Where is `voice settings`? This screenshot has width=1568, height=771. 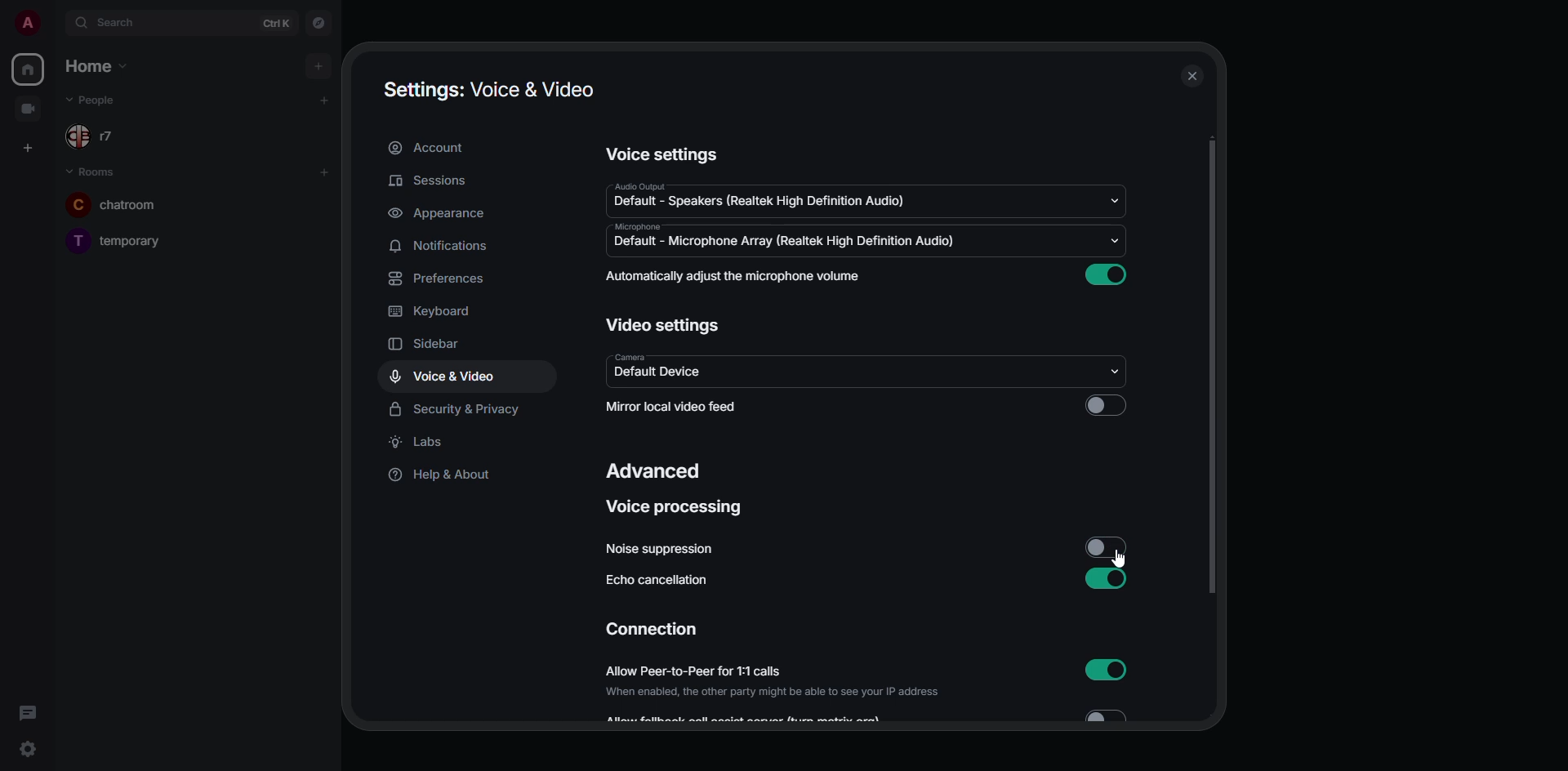
voice settings is located at coordinates (664, 154).